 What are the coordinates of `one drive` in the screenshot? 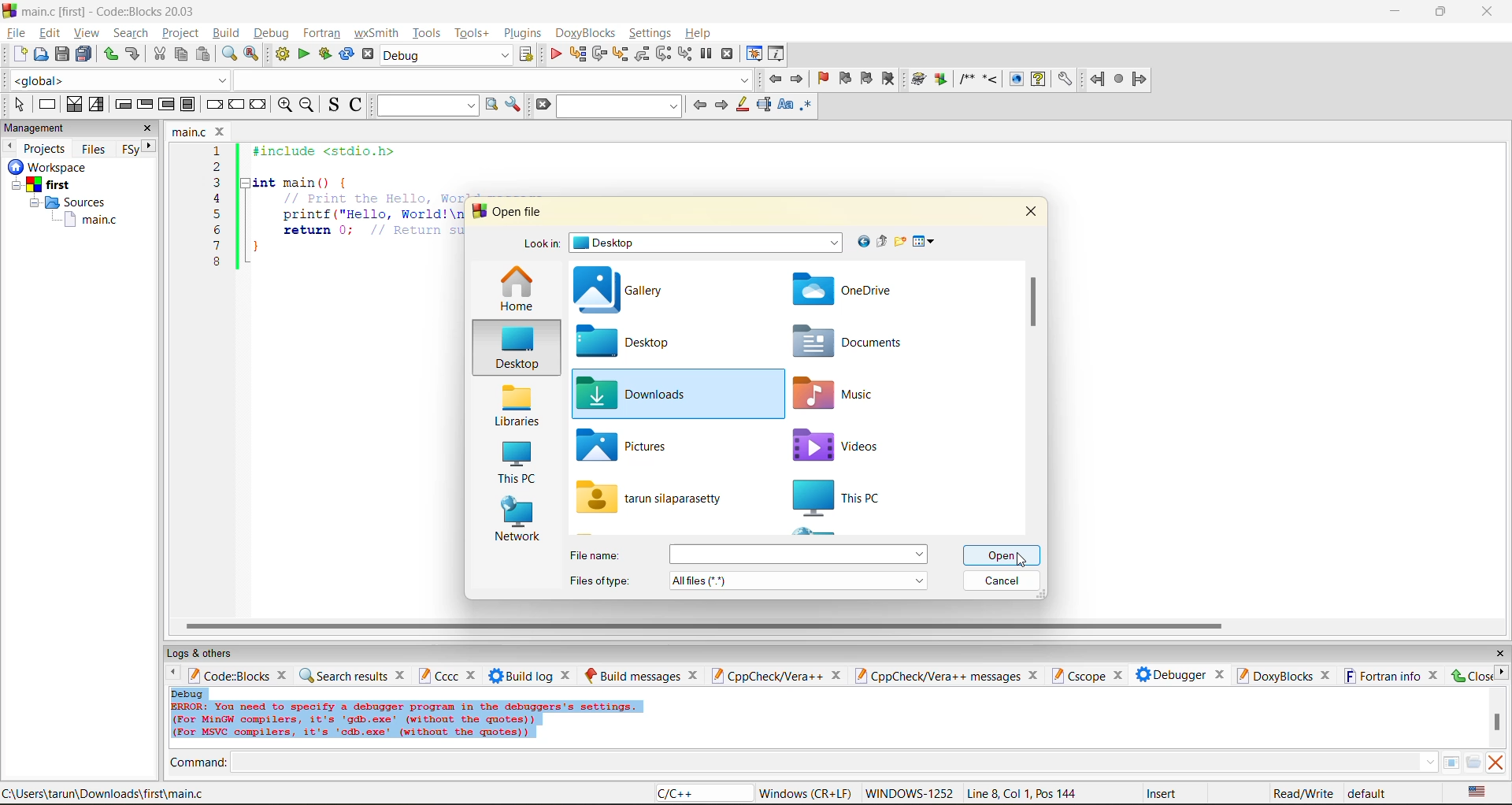 It's located at (846, 291).